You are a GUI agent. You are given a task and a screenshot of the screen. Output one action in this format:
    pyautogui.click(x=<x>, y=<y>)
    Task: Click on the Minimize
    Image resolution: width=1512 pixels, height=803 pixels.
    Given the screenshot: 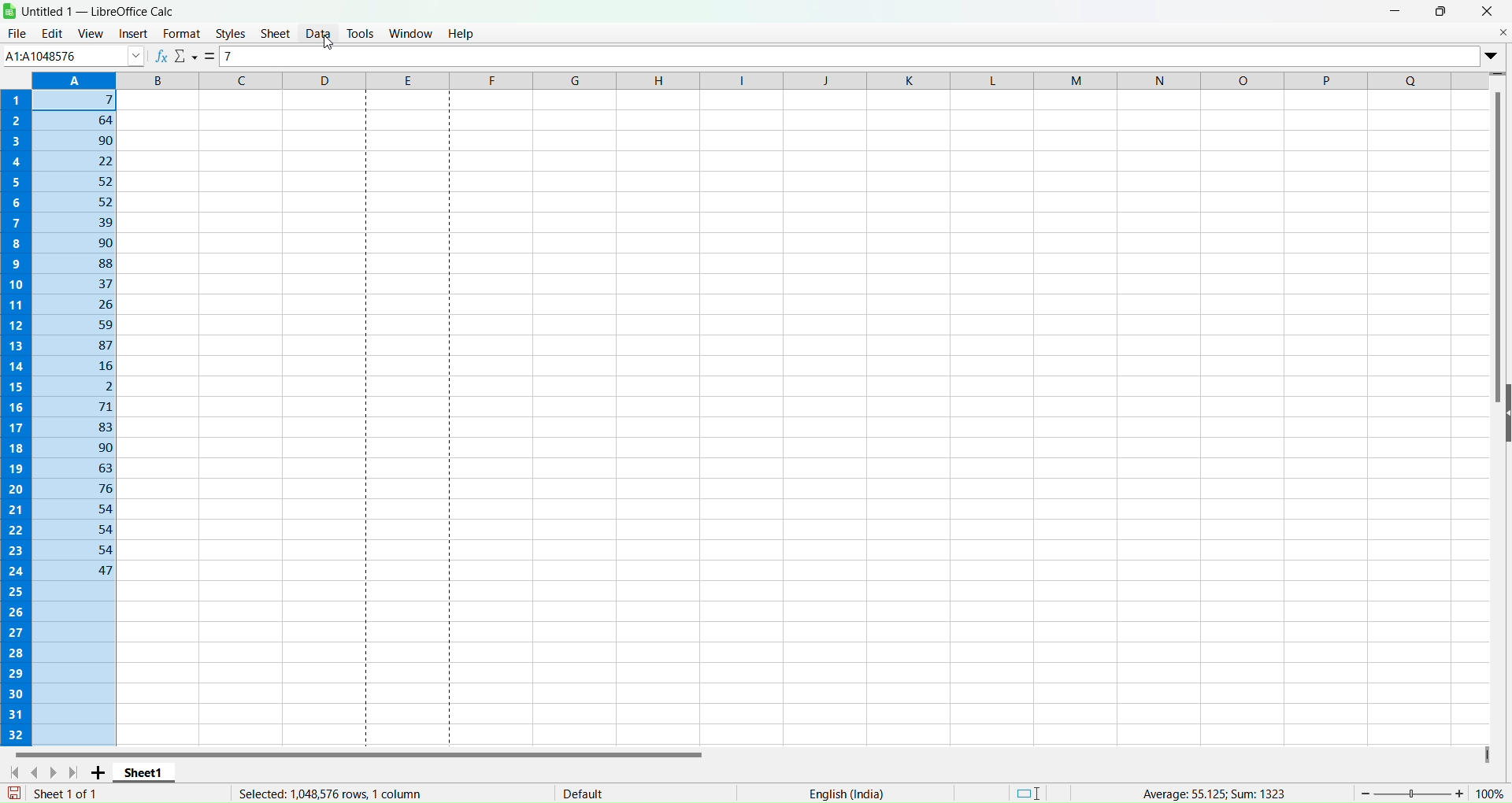 What is the action you would take?
    pyautogui.click(x=1396, y=10)
    